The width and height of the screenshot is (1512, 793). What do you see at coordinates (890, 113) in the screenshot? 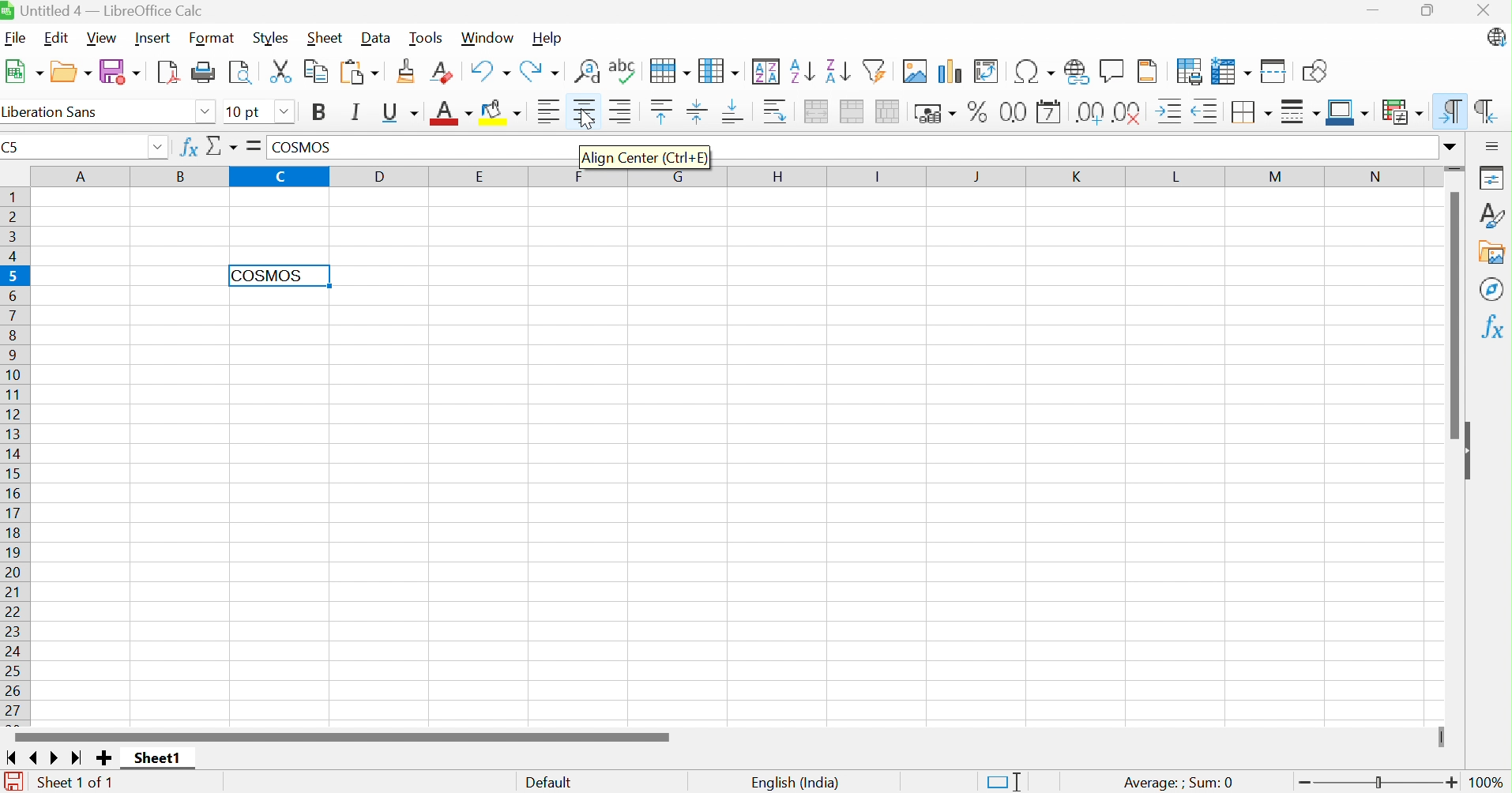
I see `Unmerge Cells` at bounding box center [890, 113].